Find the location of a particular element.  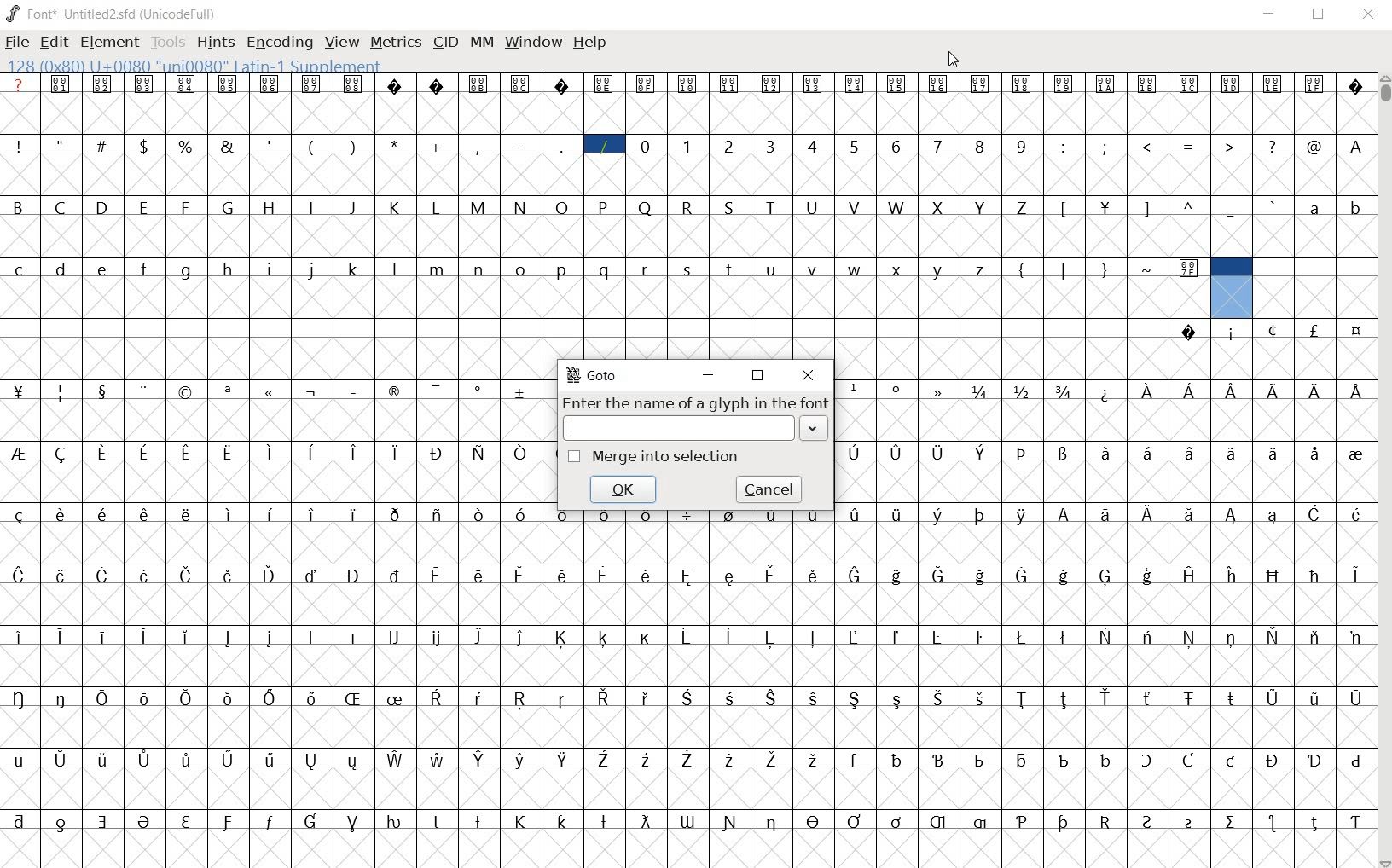

Symbol is located at coordinates (1273, 575).